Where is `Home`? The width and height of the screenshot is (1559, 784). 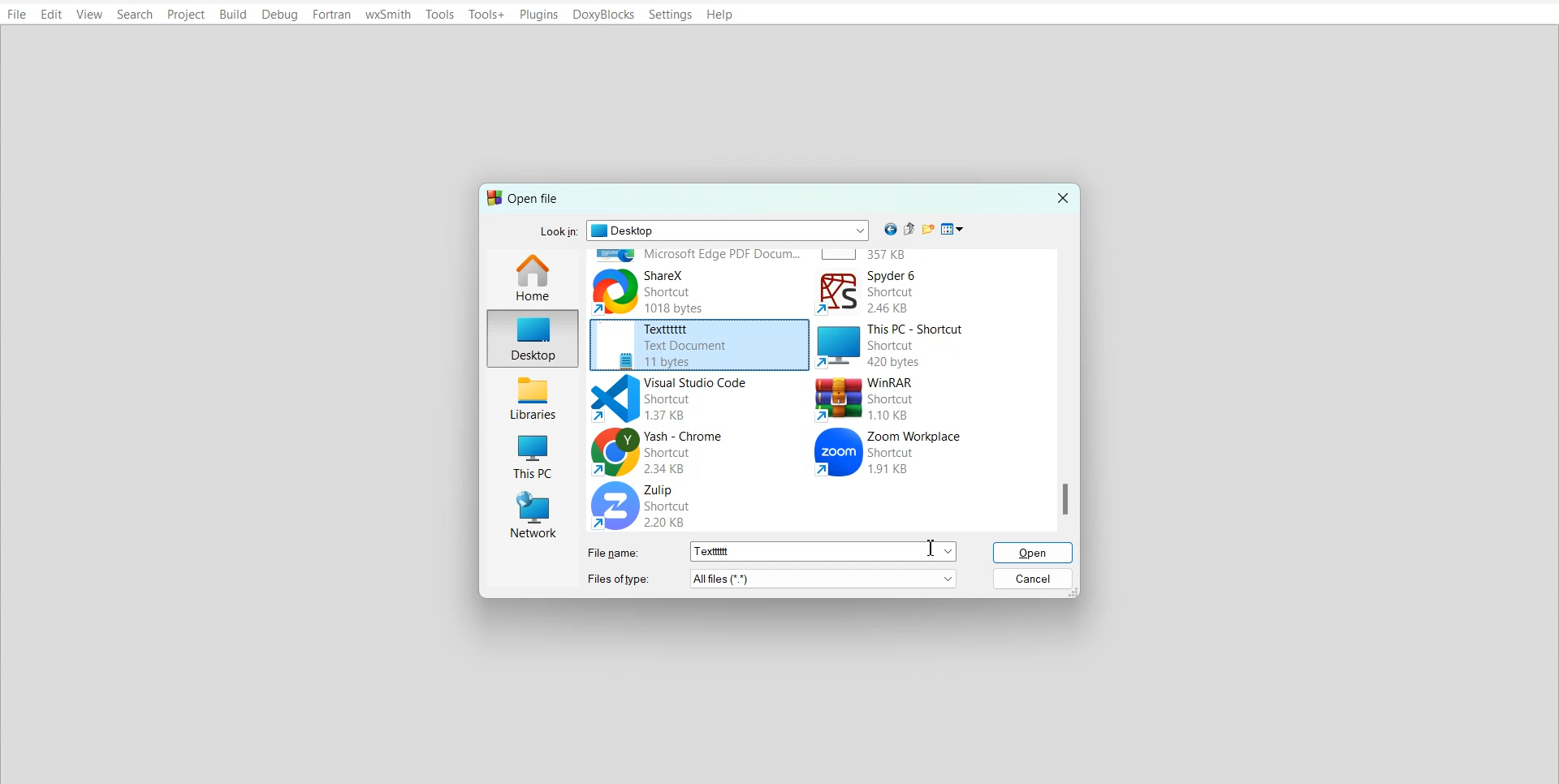 Home is located at coordinates (538, 274).